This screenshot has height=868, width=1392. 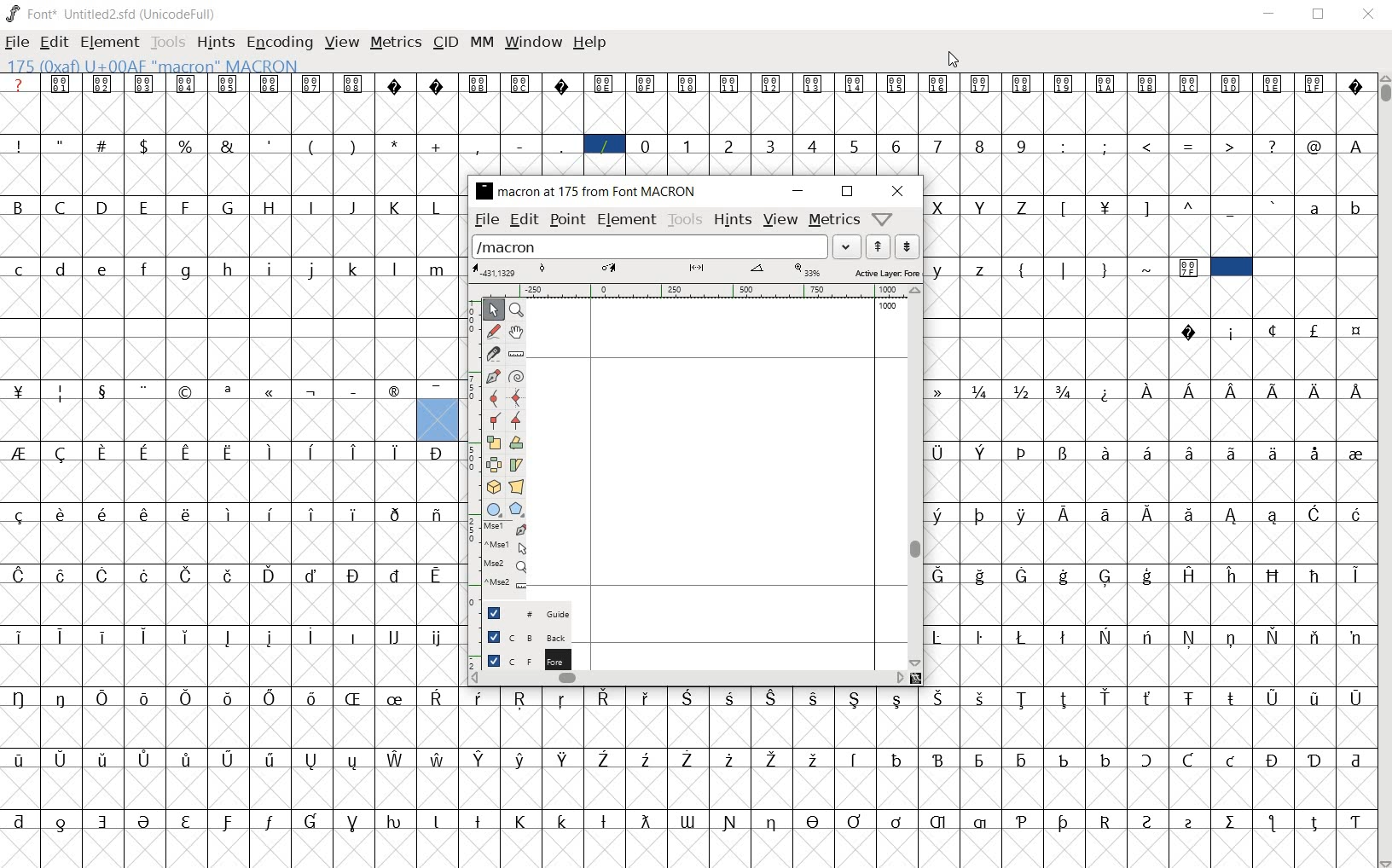 I want to click on Symbol, so click(x=1354, y=83).